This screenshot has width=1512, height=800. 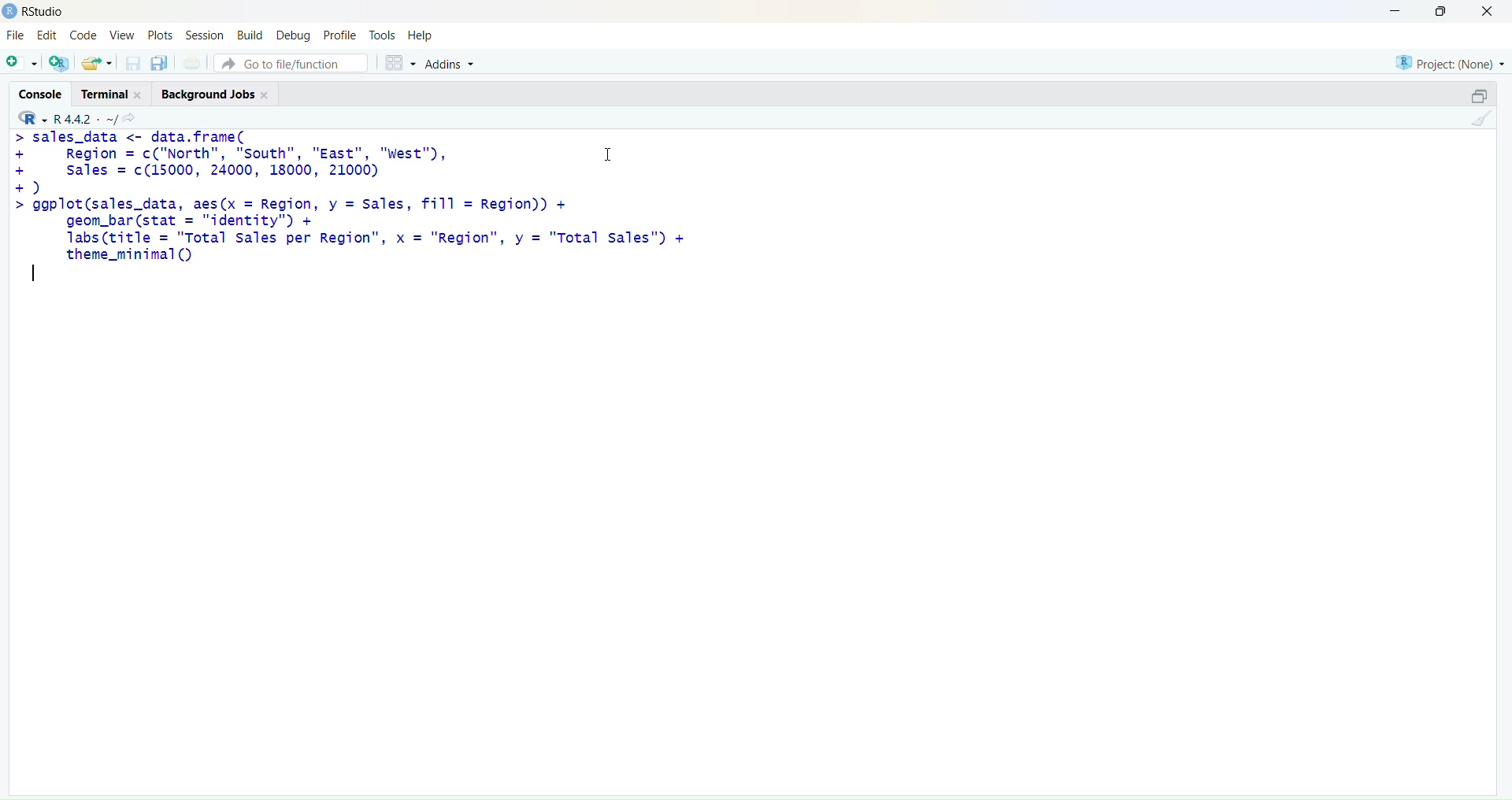 I want to click on Addins ~, so click(x=450, y=64).